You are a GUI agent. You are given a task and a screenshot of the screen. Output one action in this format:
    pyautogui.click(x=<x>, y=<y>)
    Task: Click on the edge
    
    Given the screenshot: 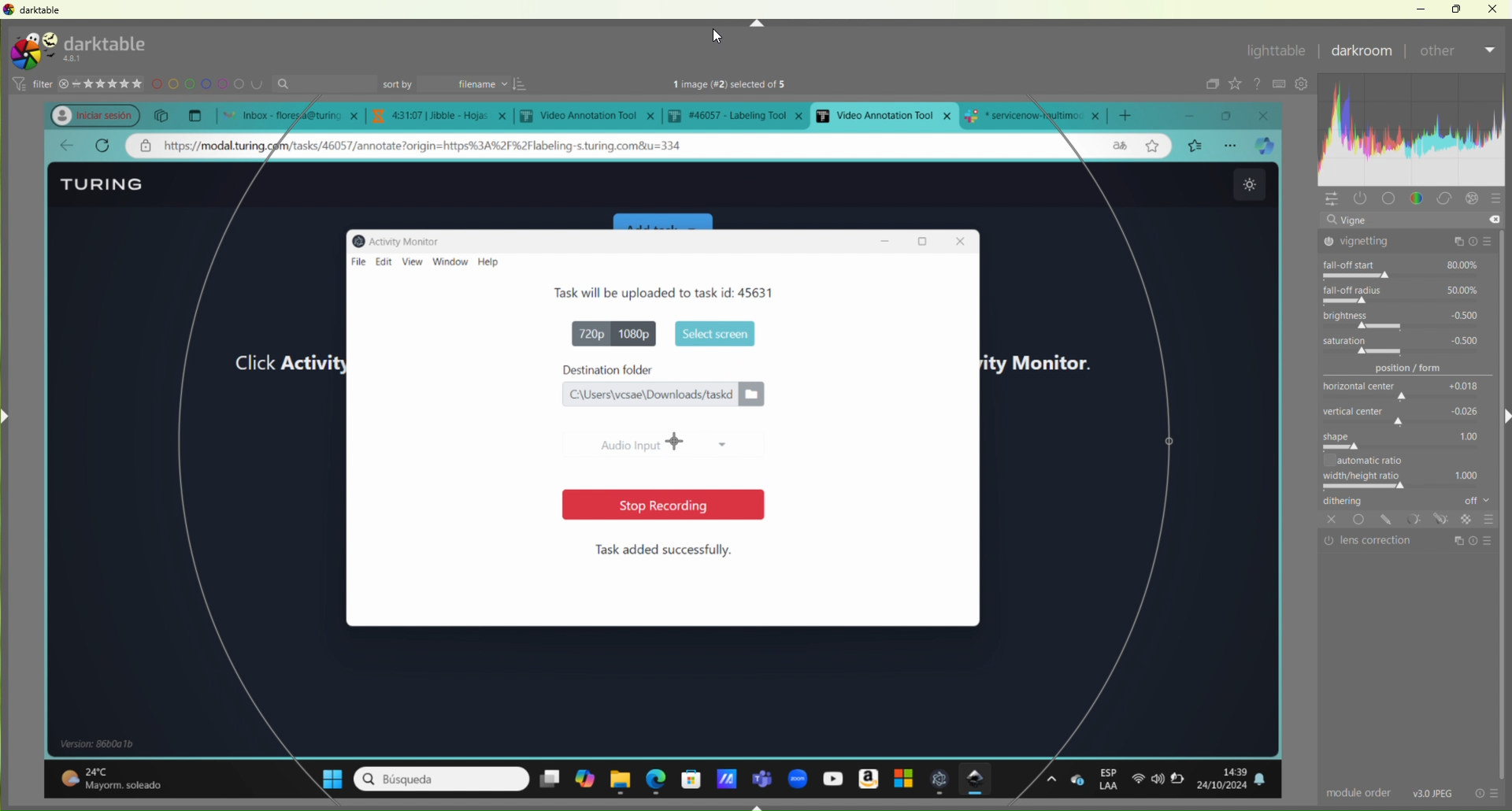 What is the action you would take?
    pyautogui.click(x=657, y=778)
    